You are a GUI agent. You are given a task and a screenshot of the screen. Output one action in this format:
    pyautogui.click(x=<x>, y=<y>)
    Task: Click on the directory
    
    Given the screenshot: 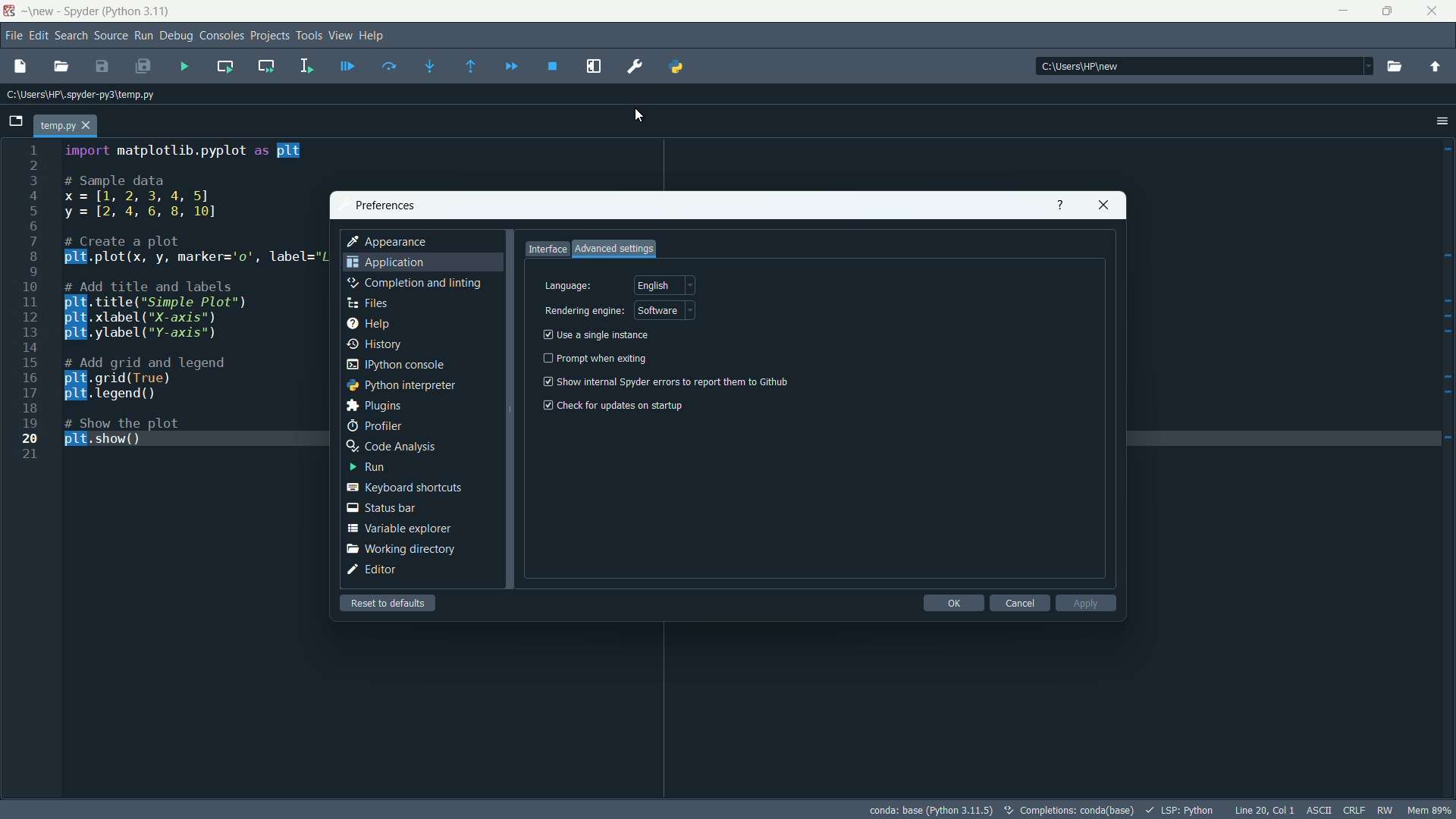 What is the action you would take?
    pyautogui.click(x=1203, y=65)
    